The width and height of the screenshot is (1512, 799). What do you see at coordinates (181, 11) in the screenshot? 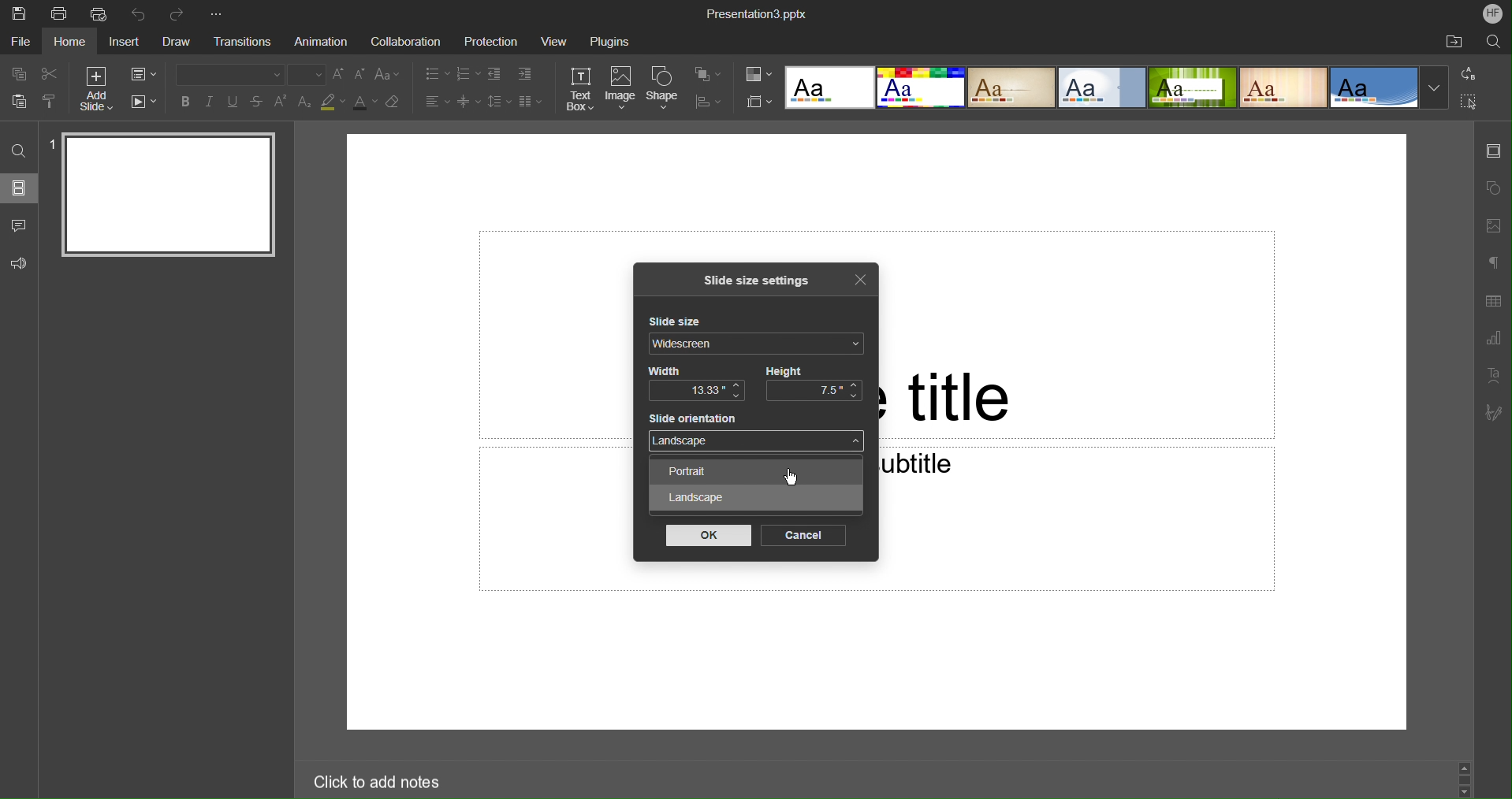
I see `Redo` at bounding box center [181, 11].